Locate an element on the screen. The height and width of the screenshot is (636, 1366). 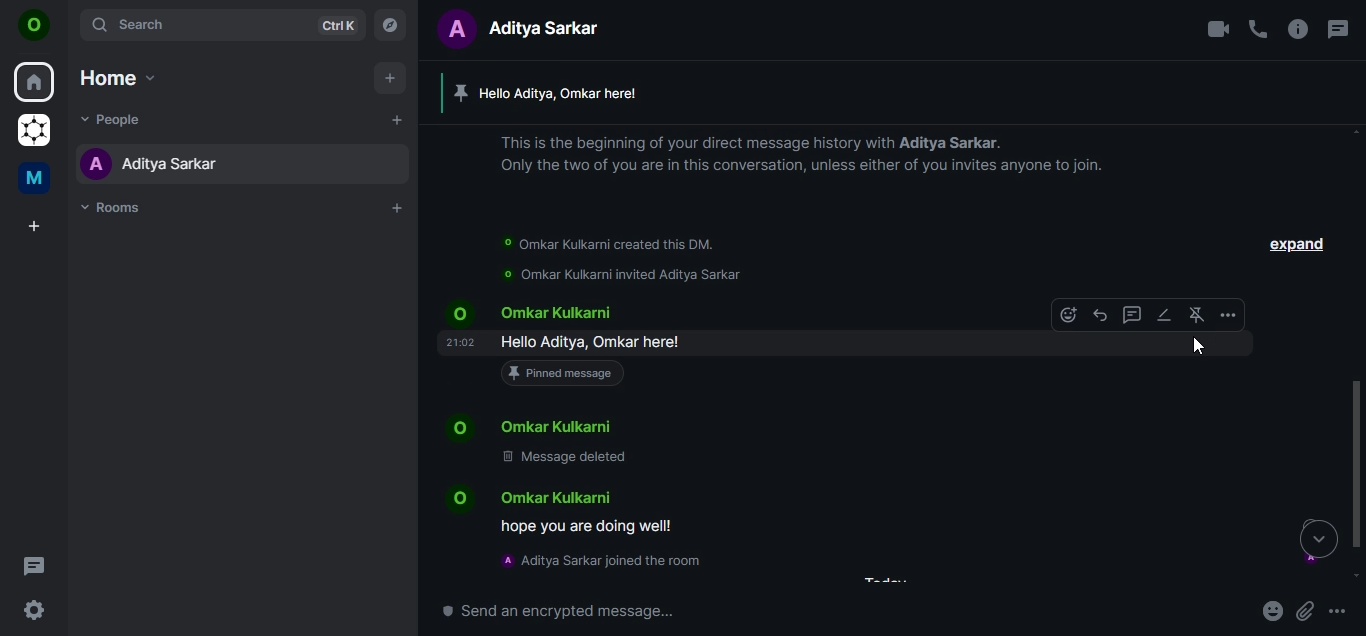
explore rooms is located at coordinates (392, 25).